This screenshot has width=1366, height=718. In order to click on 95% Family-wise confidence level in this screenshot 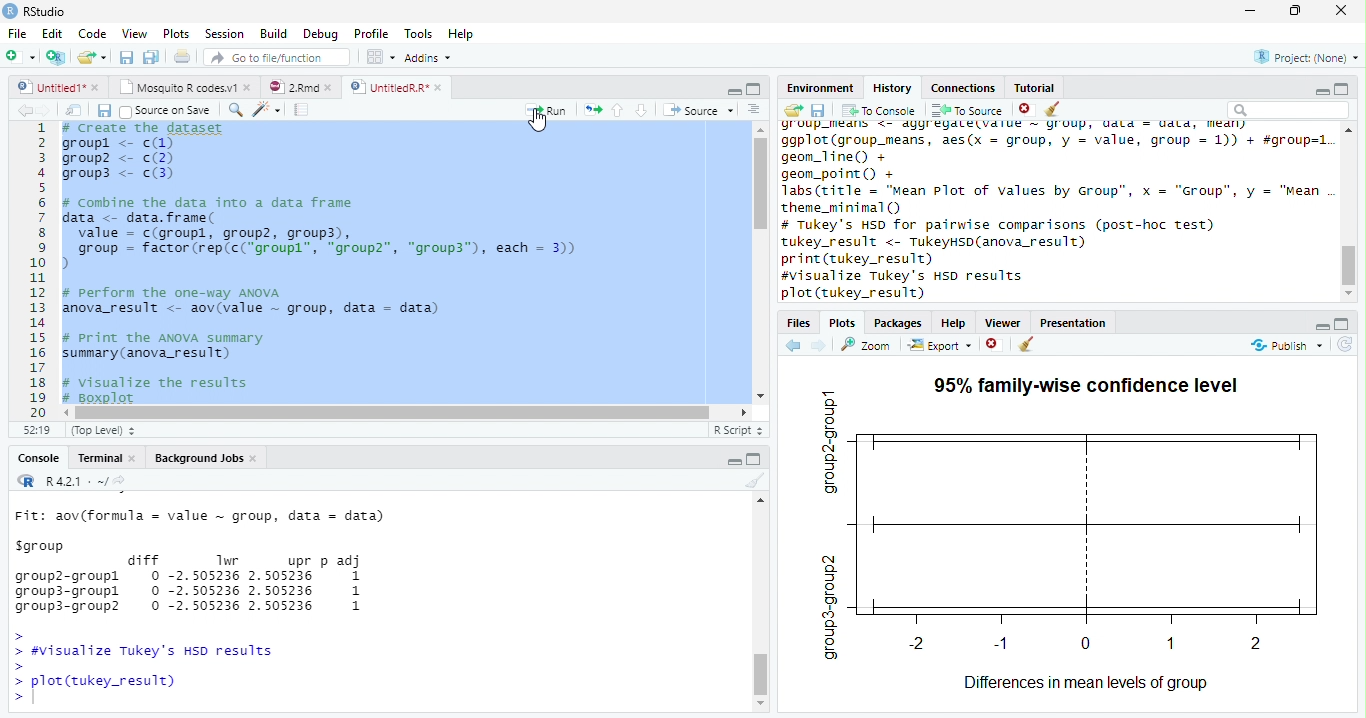, I will do `click(1090, 380)`.